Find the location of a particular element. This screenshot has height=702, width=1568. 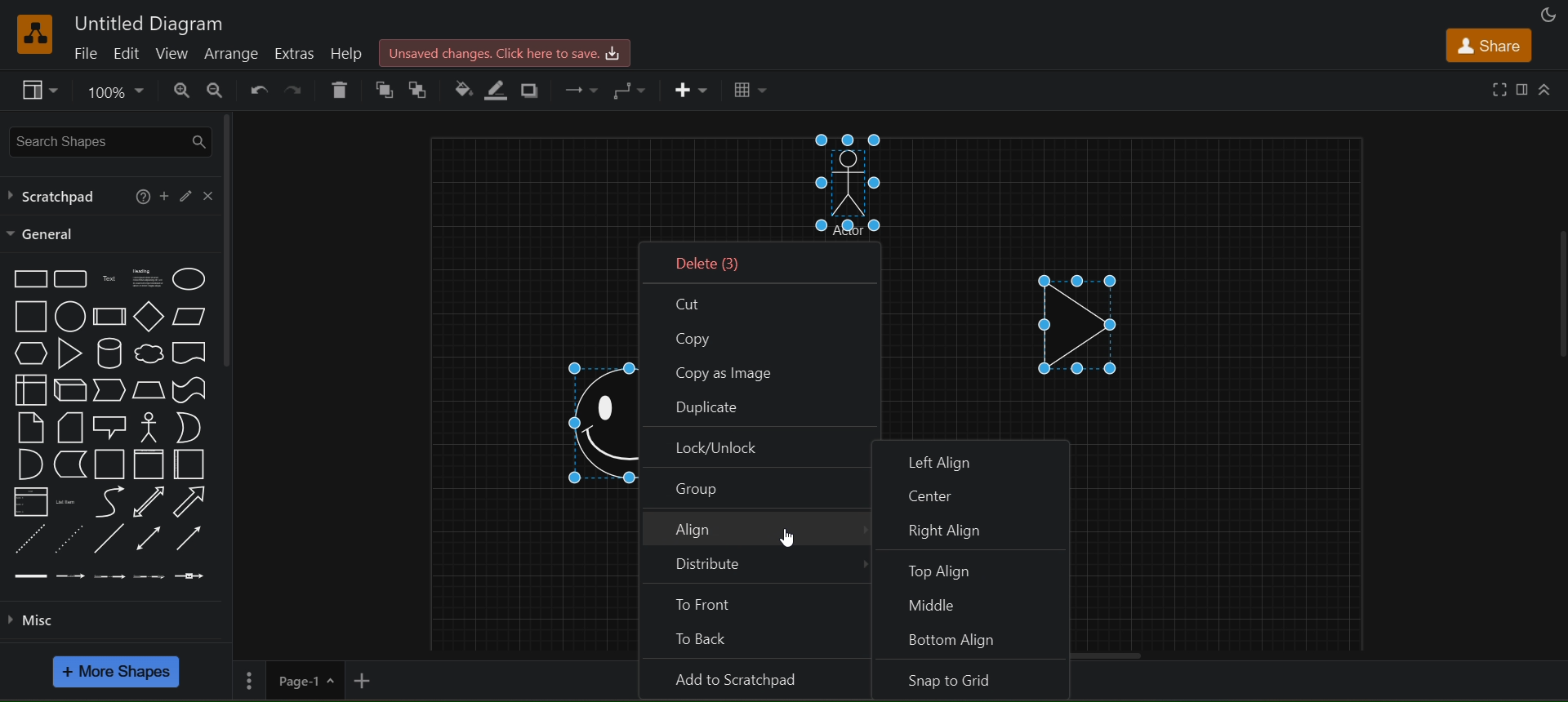

to front is located at coordinates (384, 87).